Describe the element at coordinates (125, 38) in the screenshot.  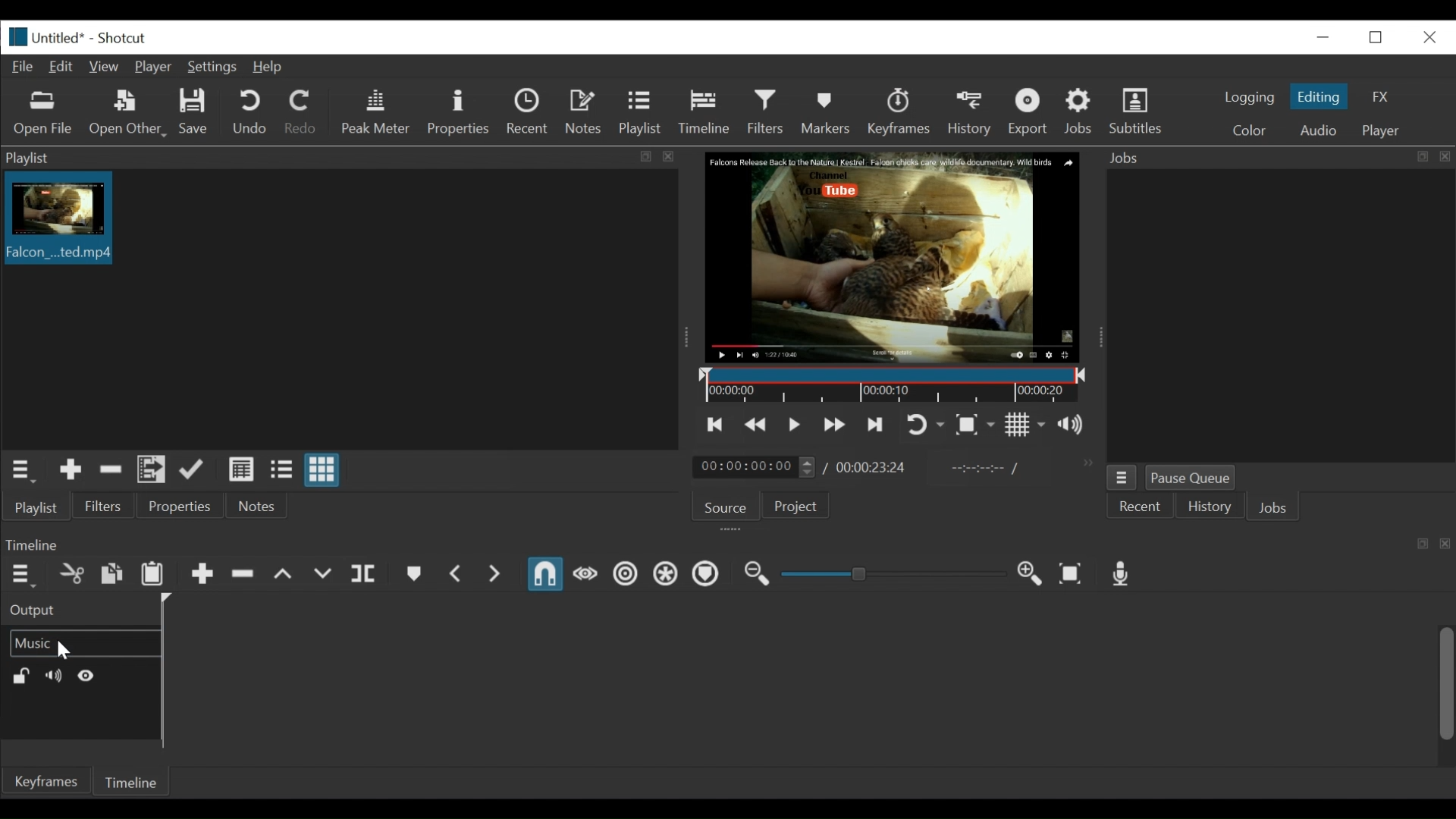
I see `Shotxcut` at that location.